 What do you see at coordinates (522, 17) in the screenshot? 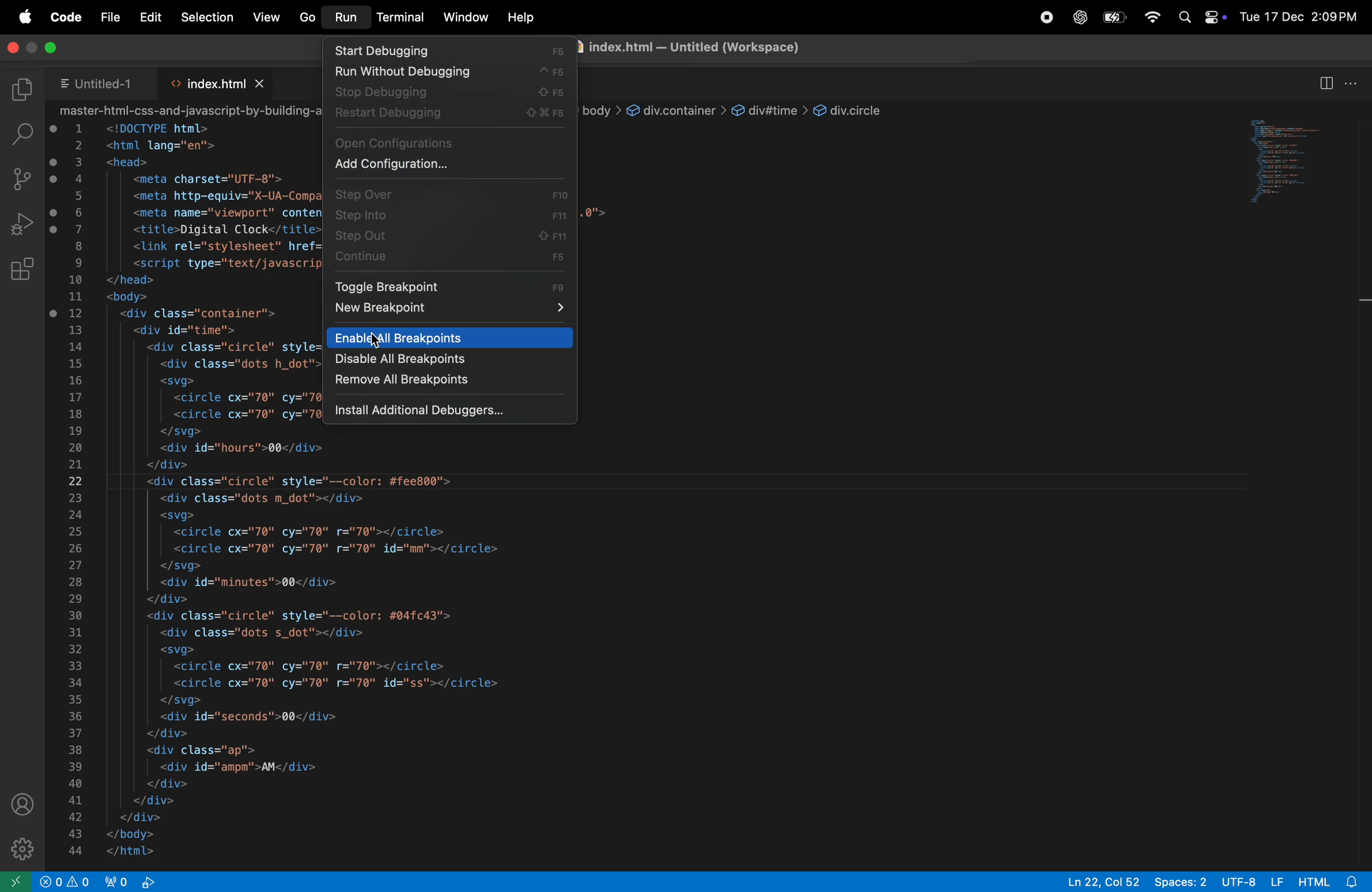
I see `help` at bounding box center [522, 17].